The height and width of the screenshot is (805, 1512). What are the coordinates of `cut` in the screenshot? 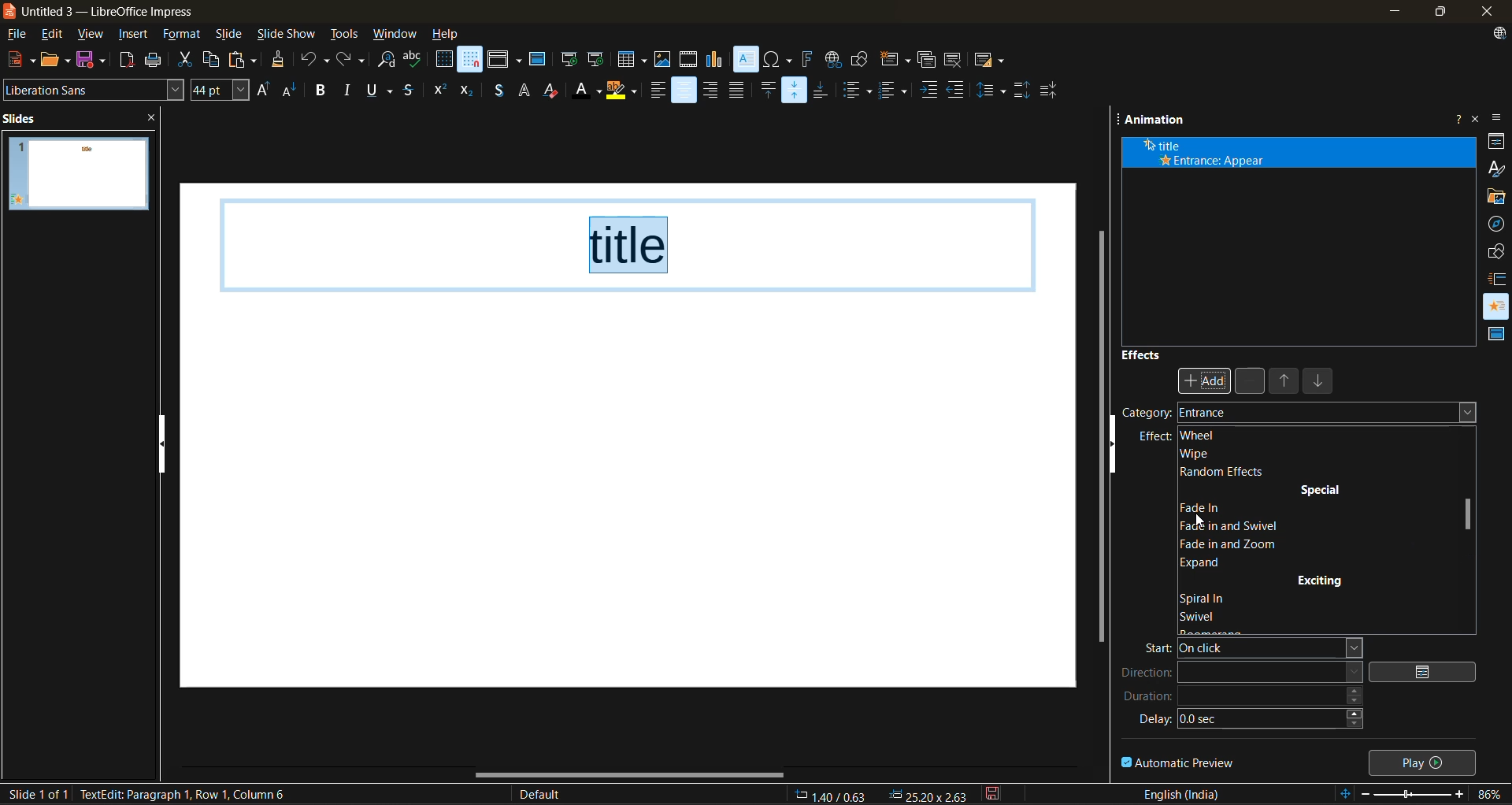 It's located at (184, 61).